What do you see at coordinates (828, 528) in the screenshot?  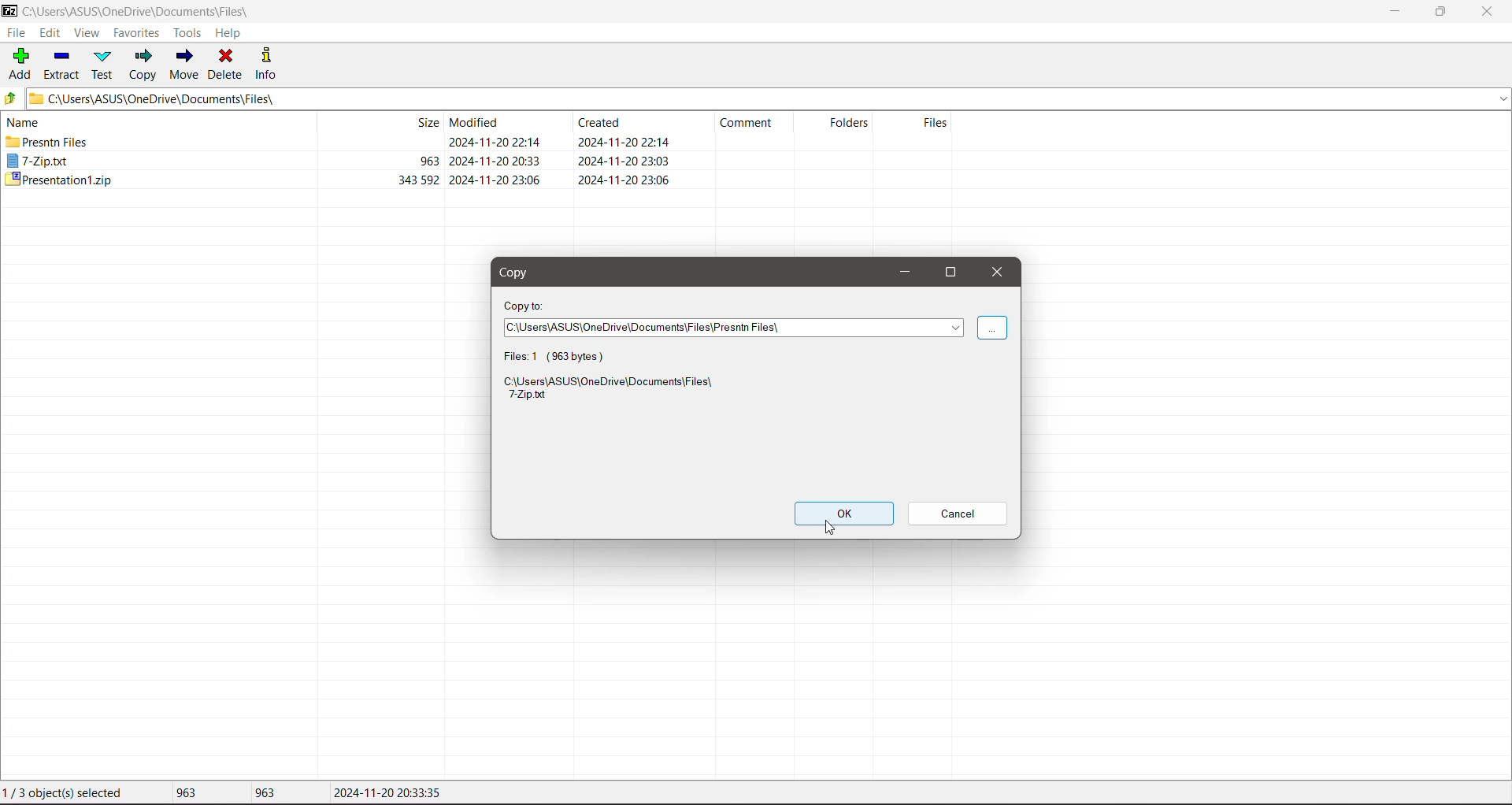 I see `Cursor` at bounding box center [828, 528].